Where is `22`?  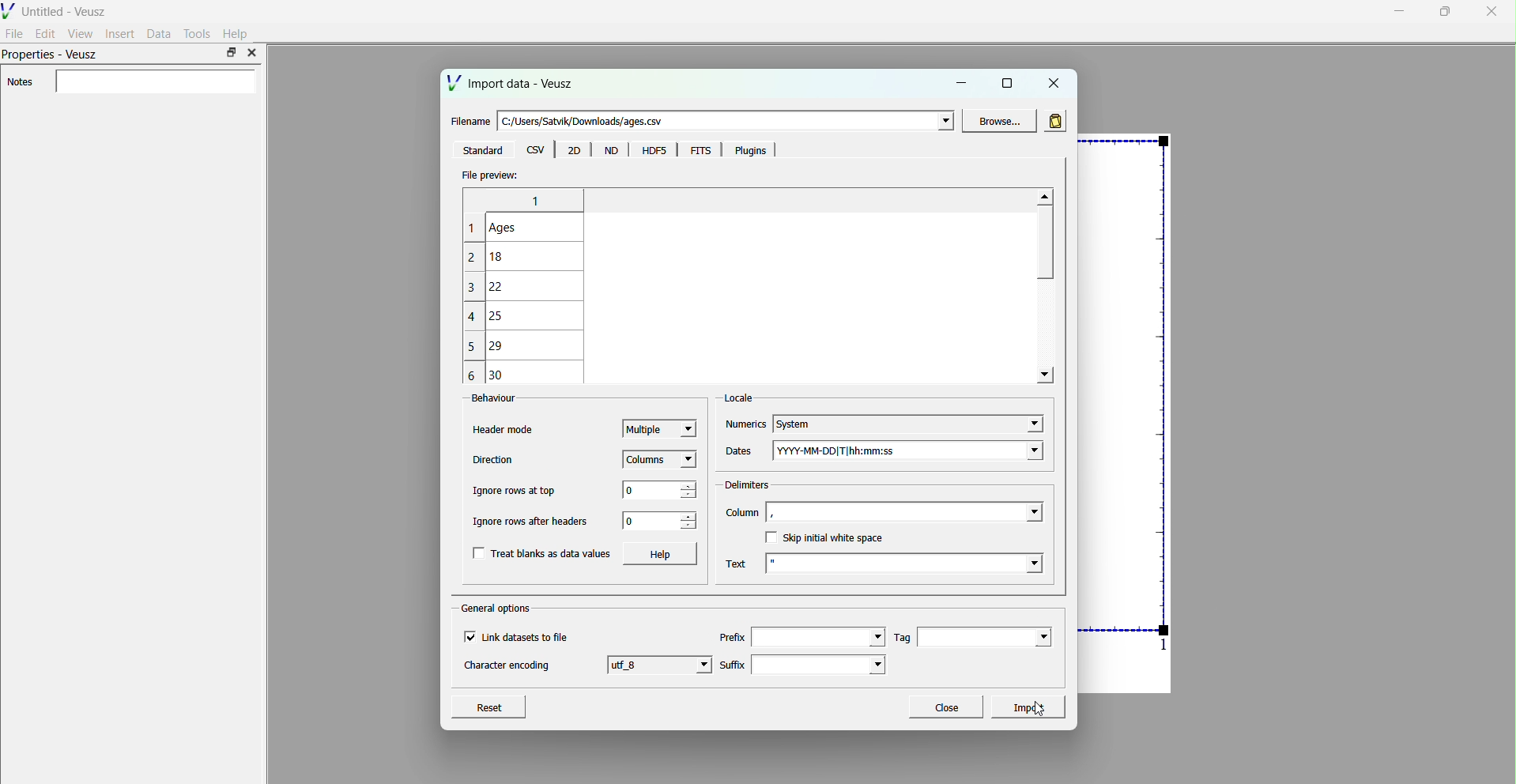 22 is located at coordinates (505, 287).